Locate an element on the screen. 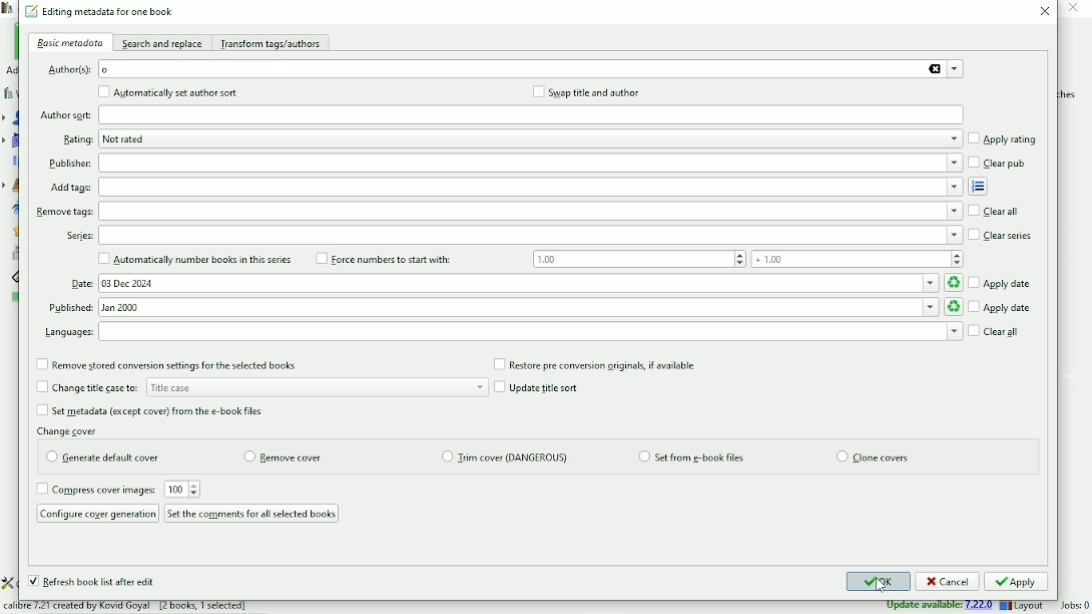 Image resolution: width=1092 pixels, height=614 pixels. Published is located at coordinates (69, 308).